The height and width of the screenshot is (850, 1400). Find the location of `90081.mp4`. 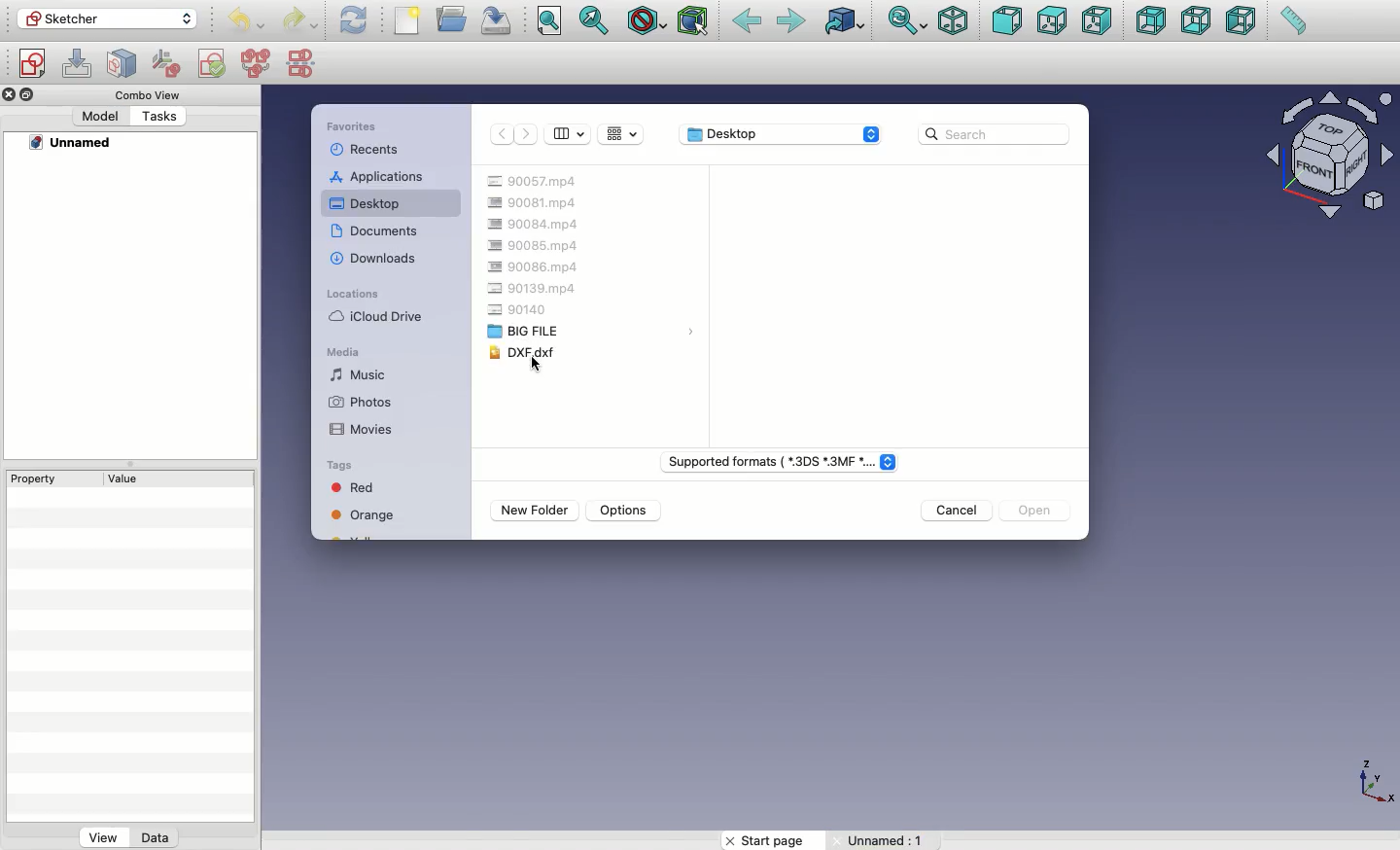

90081.mp4 is located at coordinates (533, 204).